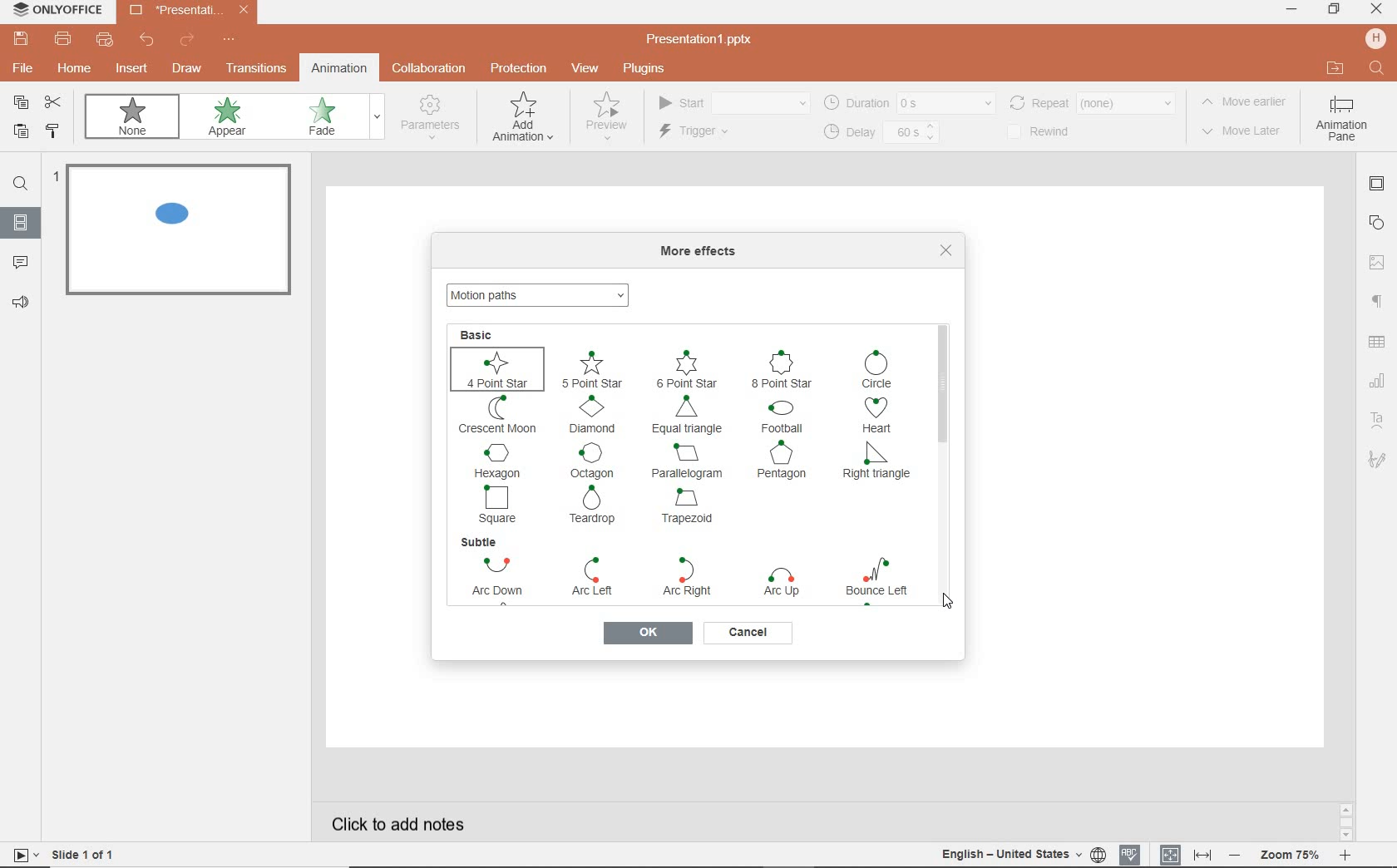  Describe the element at coordinates (20, 855) in the screenshot. I see `start slide show` at that location.